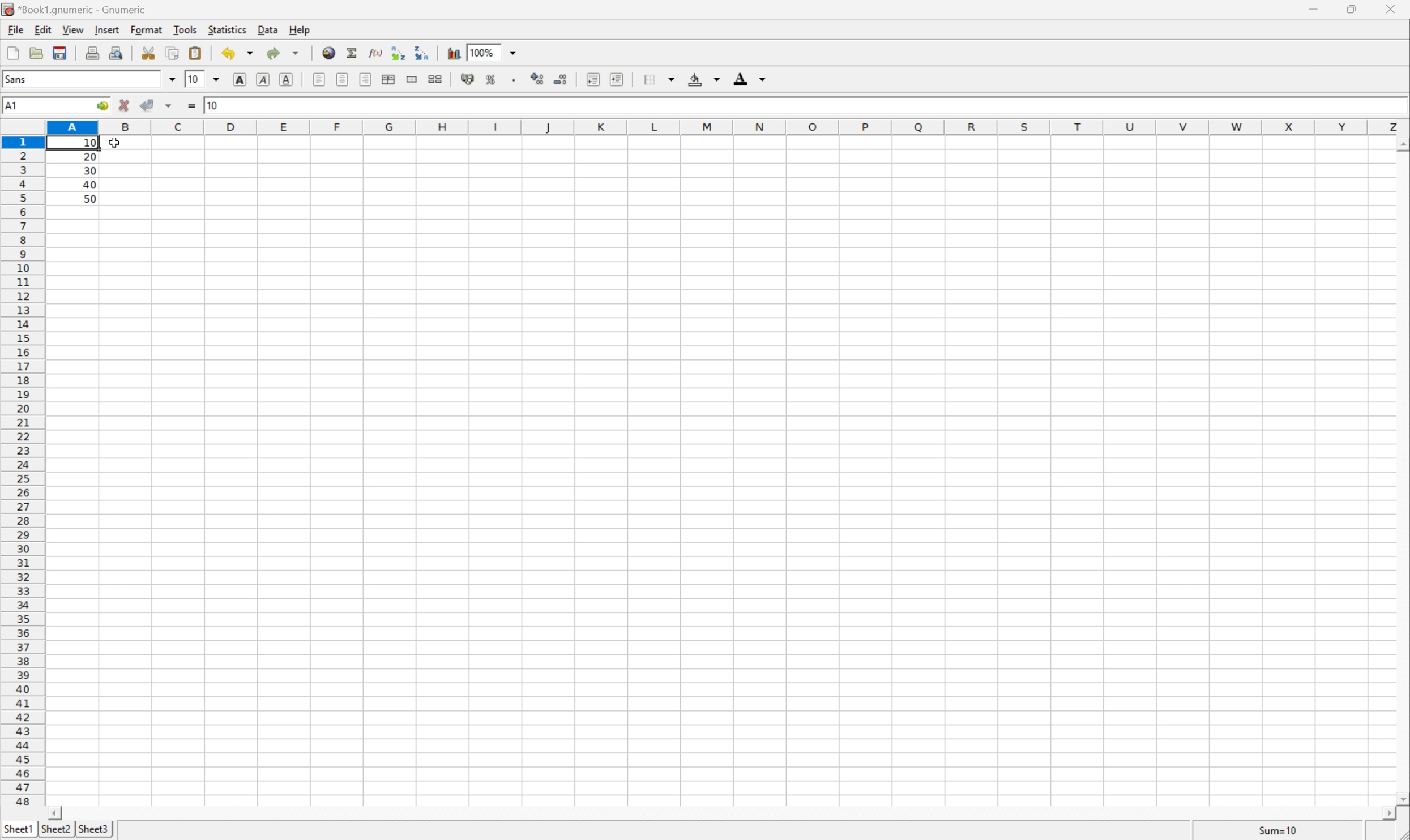 The width and height of the screenshot is (1410, 840). Describe the element at coordinates (14, 52) in the screenshot. I see `Create a new workbook` at that location.